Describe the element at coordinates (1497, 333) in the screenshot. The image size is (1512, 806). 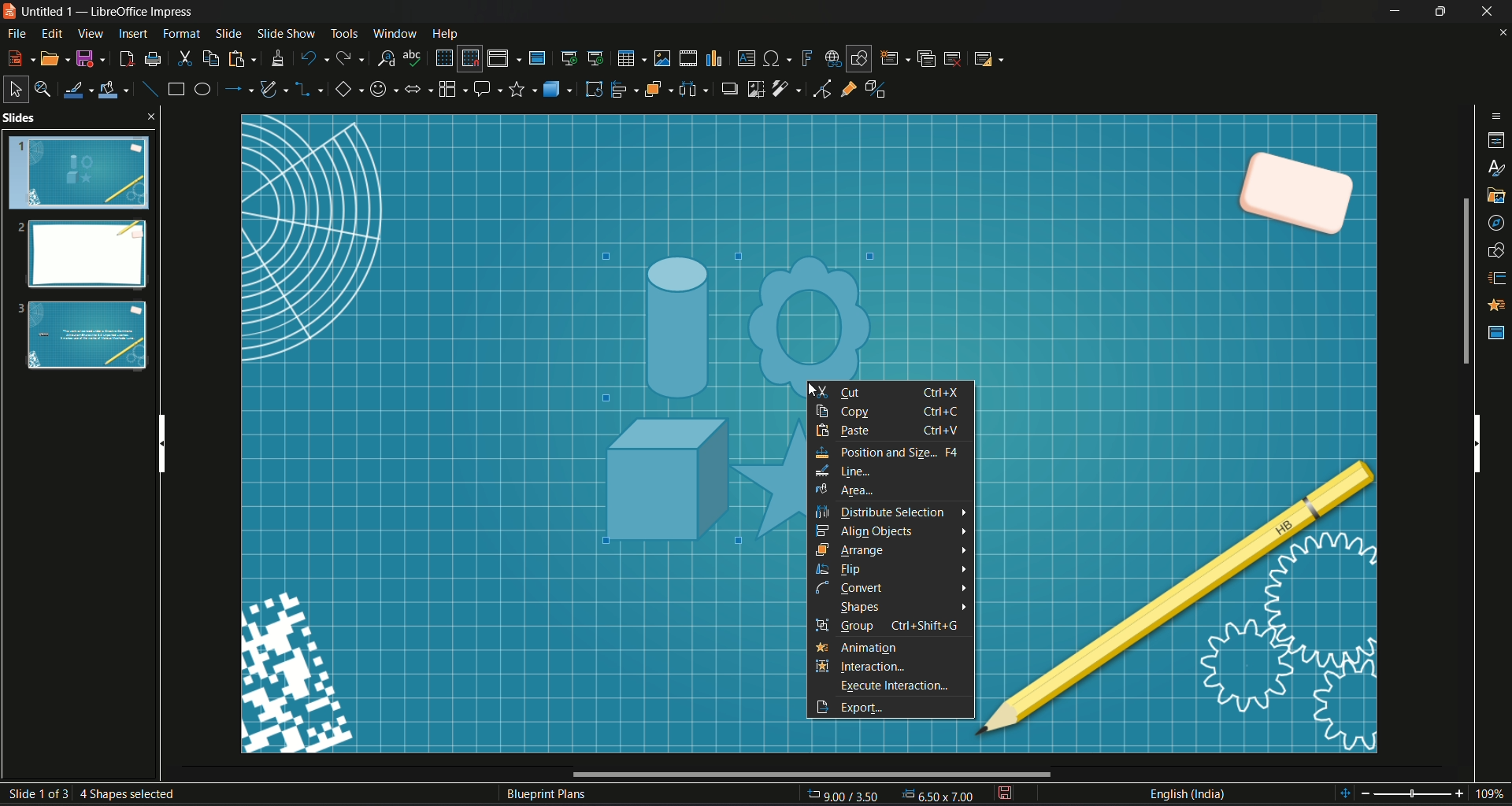
I see `master slide` at that location.